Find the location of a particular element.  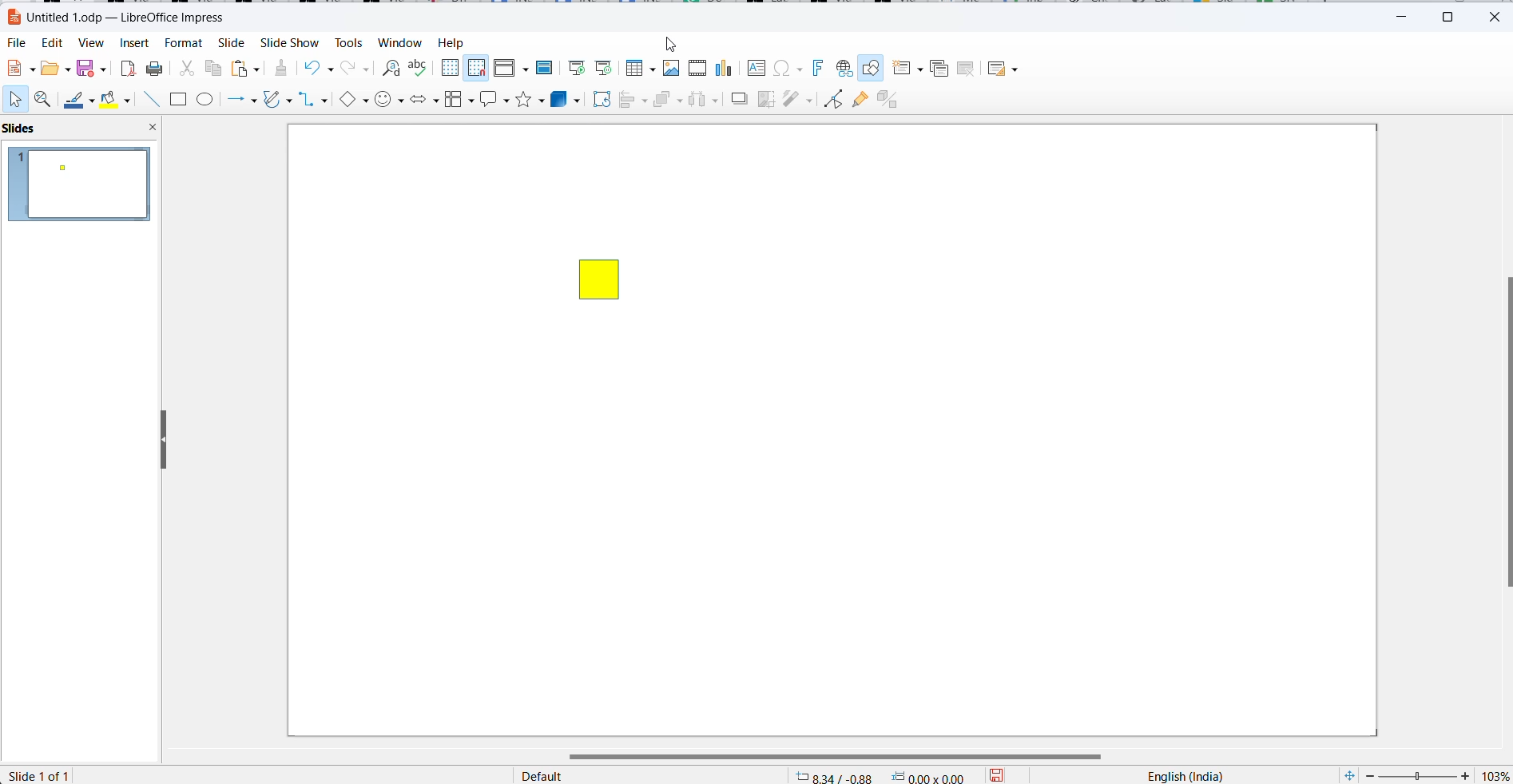

Insert font work text is located at coordinates (820, 67).